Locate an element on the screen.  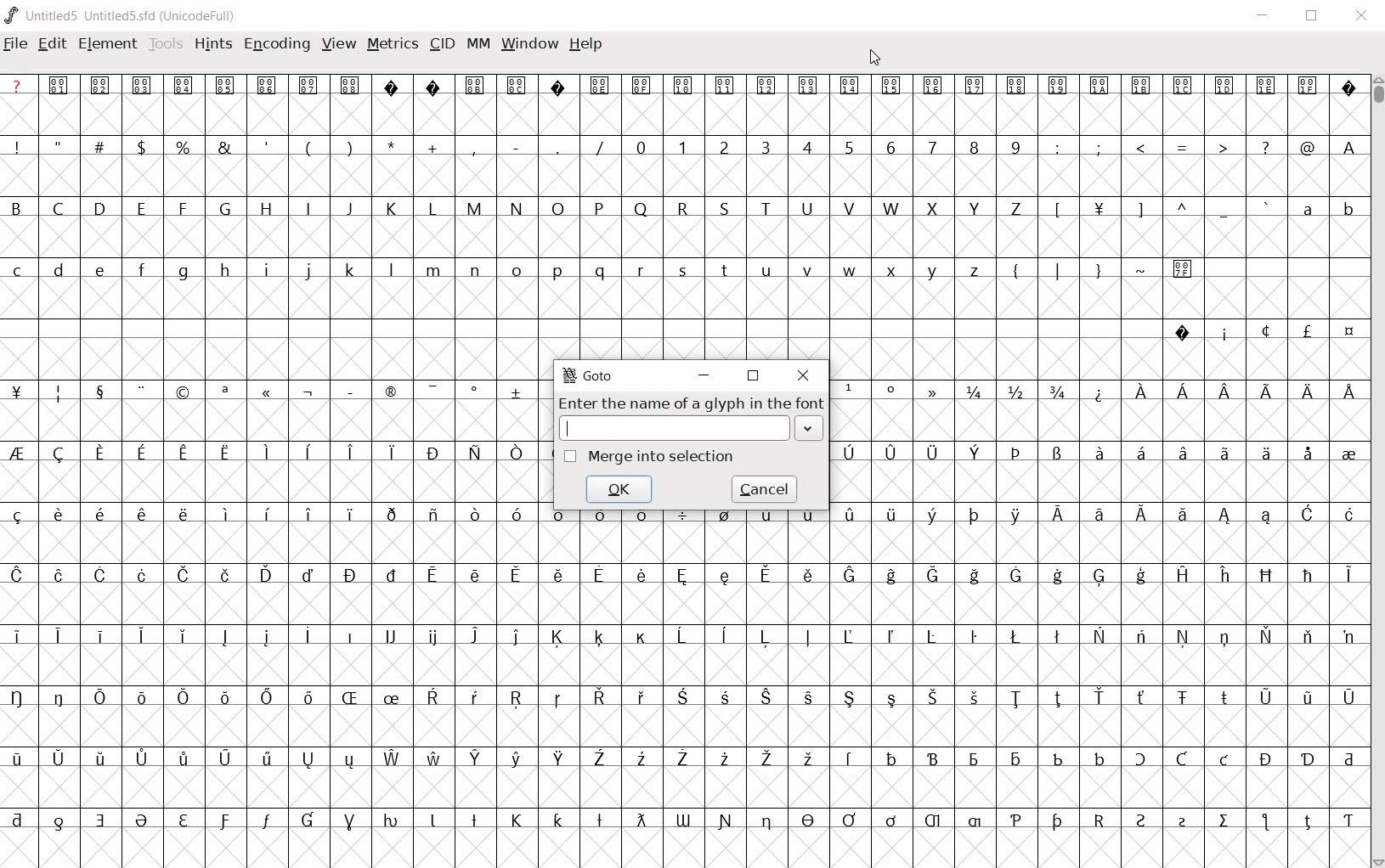
Symbol is located at coordinates (557, 637).